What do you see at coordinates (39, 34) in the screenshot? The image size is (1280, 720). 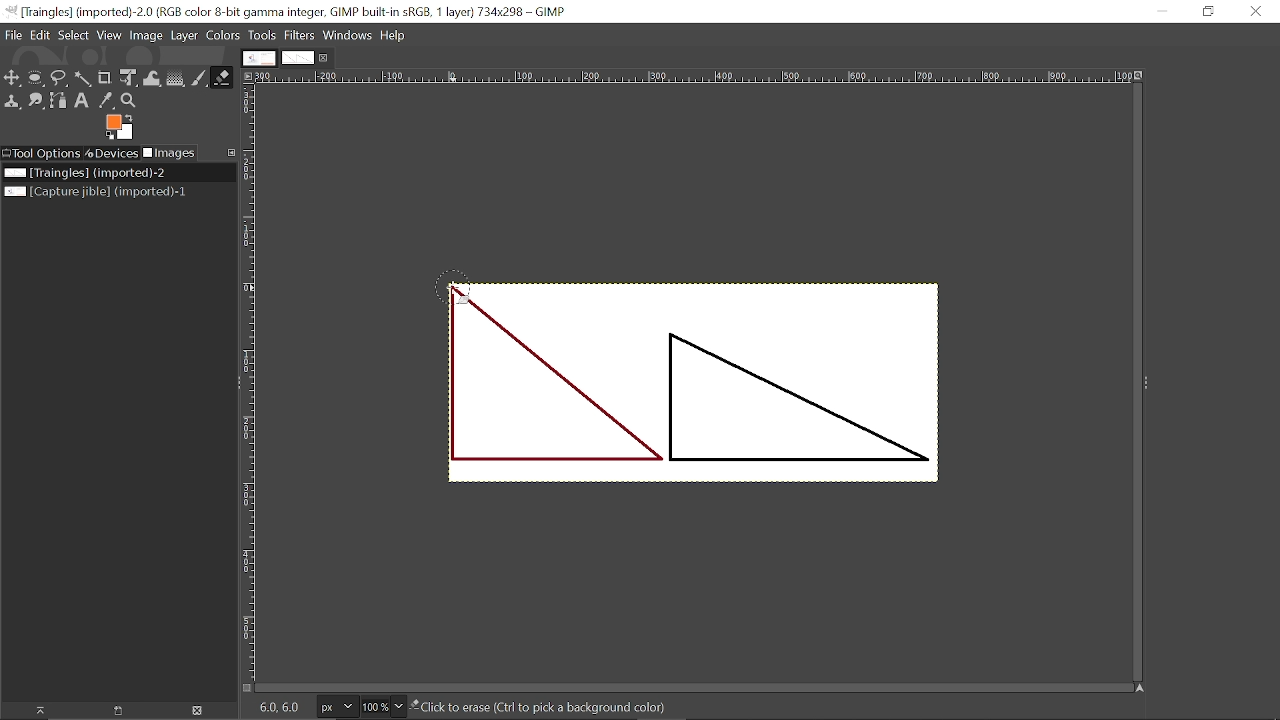 I see `Edit` at bounding box center [39, 34].